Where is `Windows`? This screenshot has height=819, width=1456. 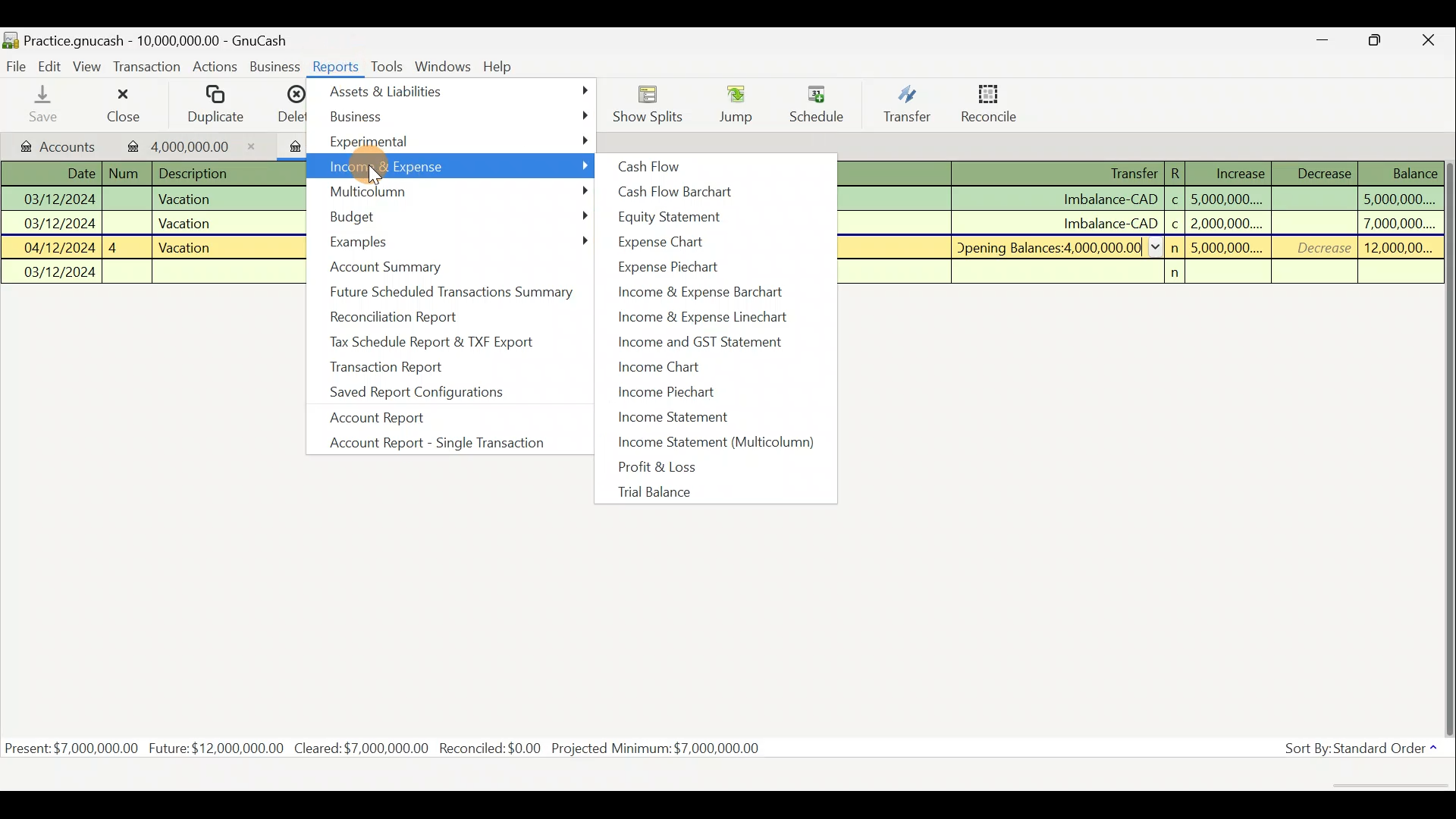 Windows is located at coordinates (444, 66).